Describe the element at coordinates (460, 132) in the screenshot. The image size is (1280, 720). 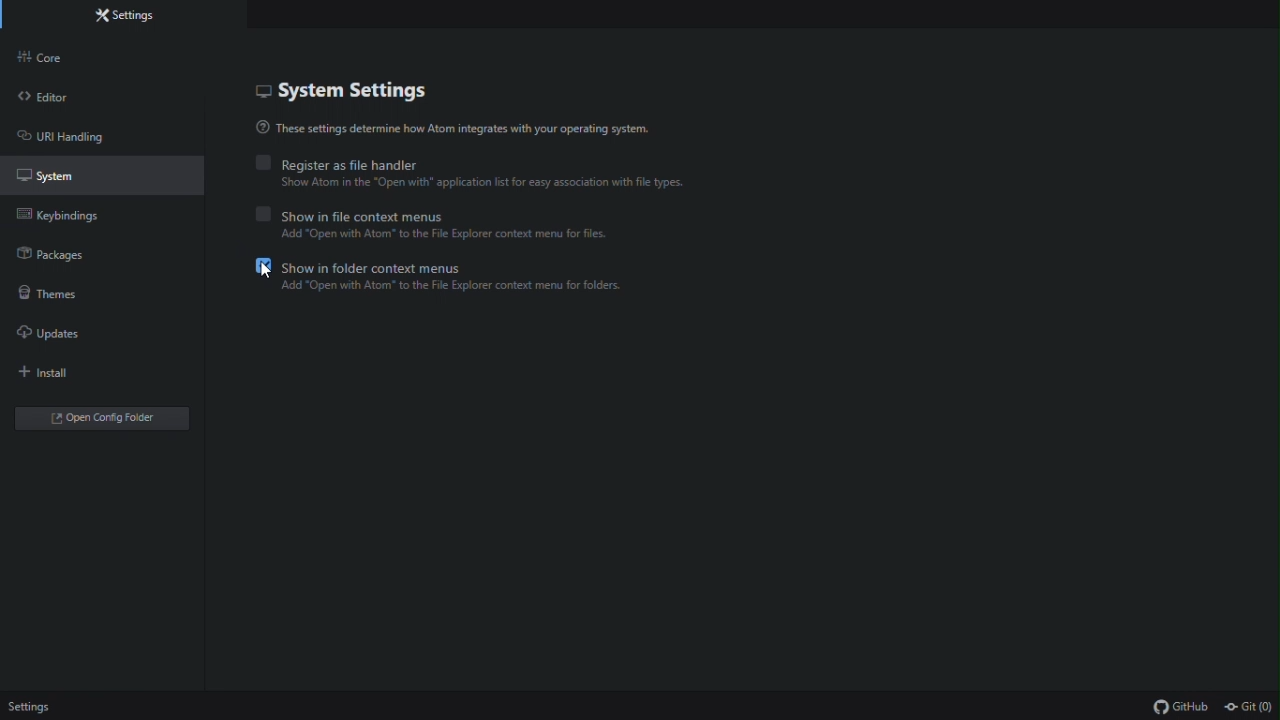
I see `these settings determines how atom integrates with your operating system` at that location.